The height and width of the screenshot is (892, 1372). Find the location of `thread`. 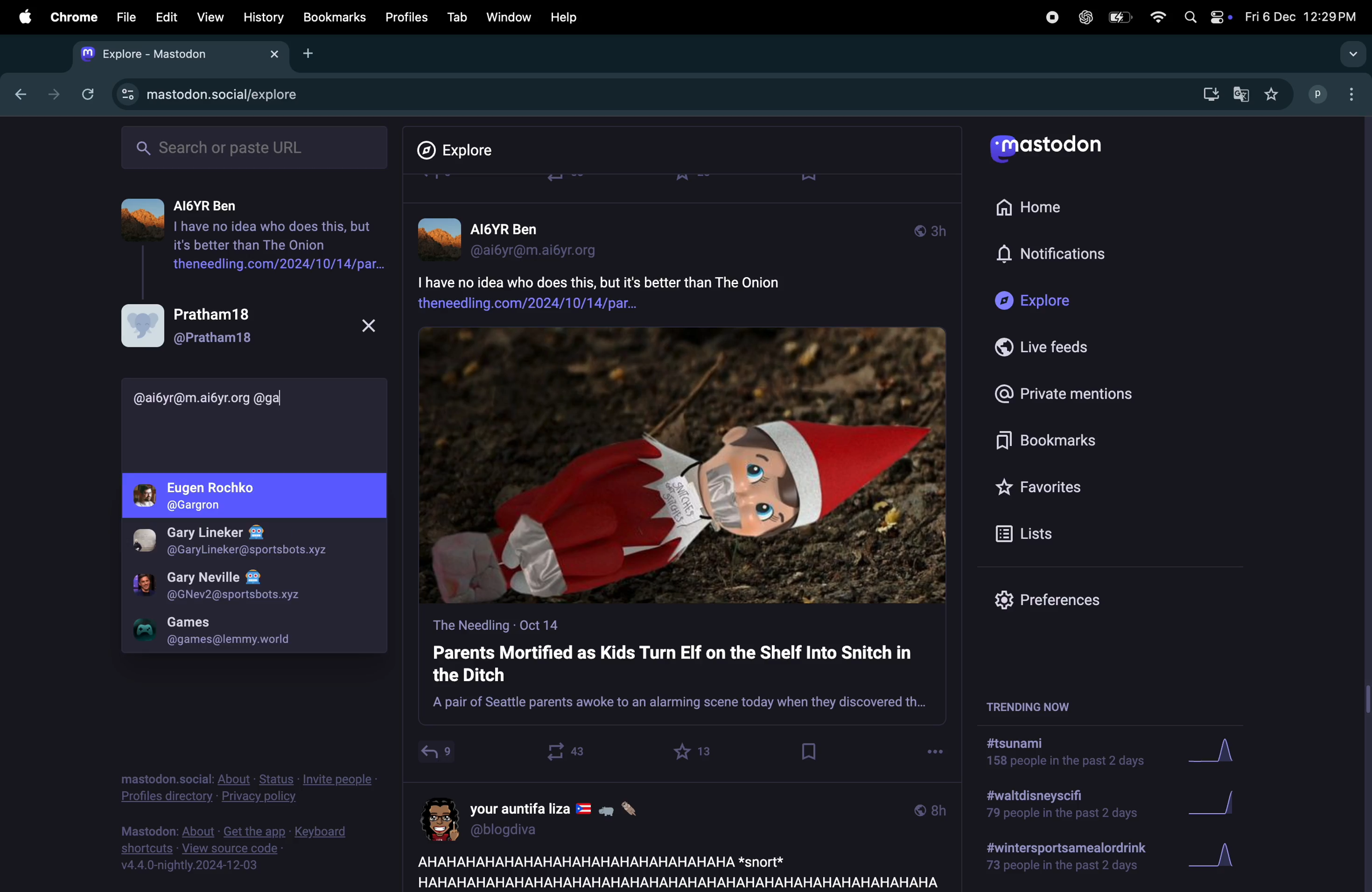

thread is located at coordinates (248, 241).